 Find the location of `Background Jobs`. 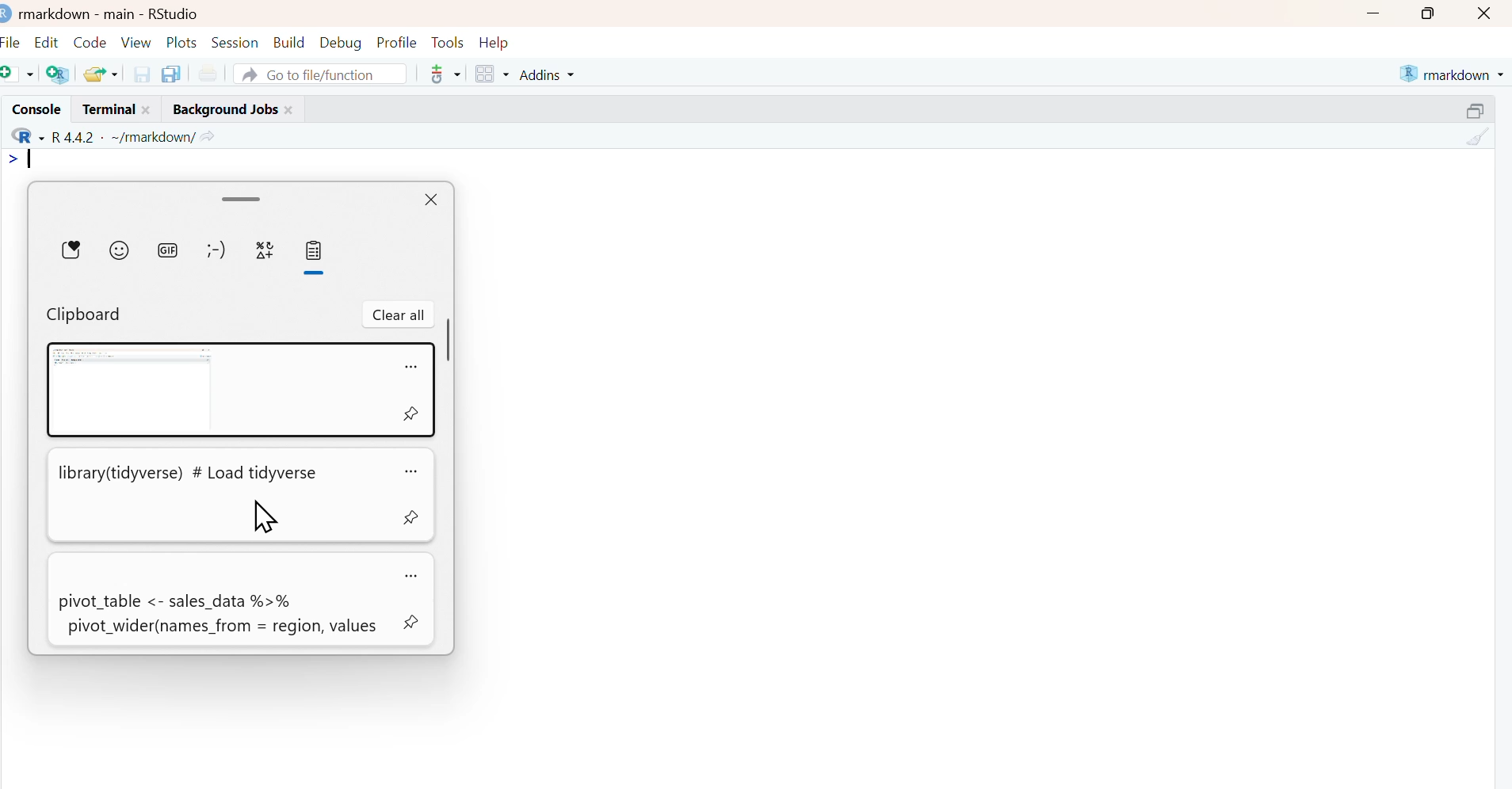

Background Jobs is located at coordinates (223, 108).